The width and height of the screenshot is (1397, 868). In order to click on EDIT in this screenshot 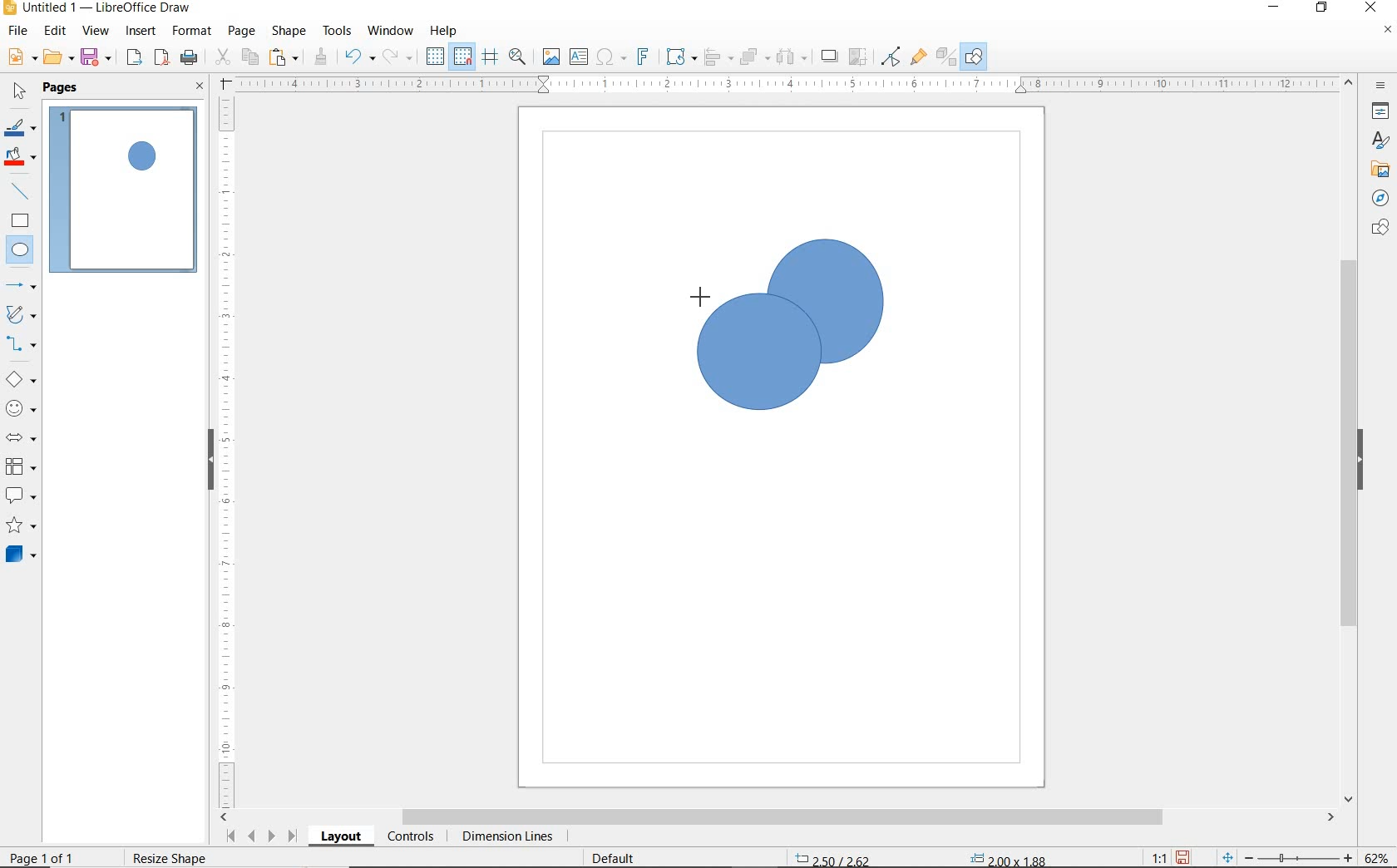, I will do `click(56, 31)`.